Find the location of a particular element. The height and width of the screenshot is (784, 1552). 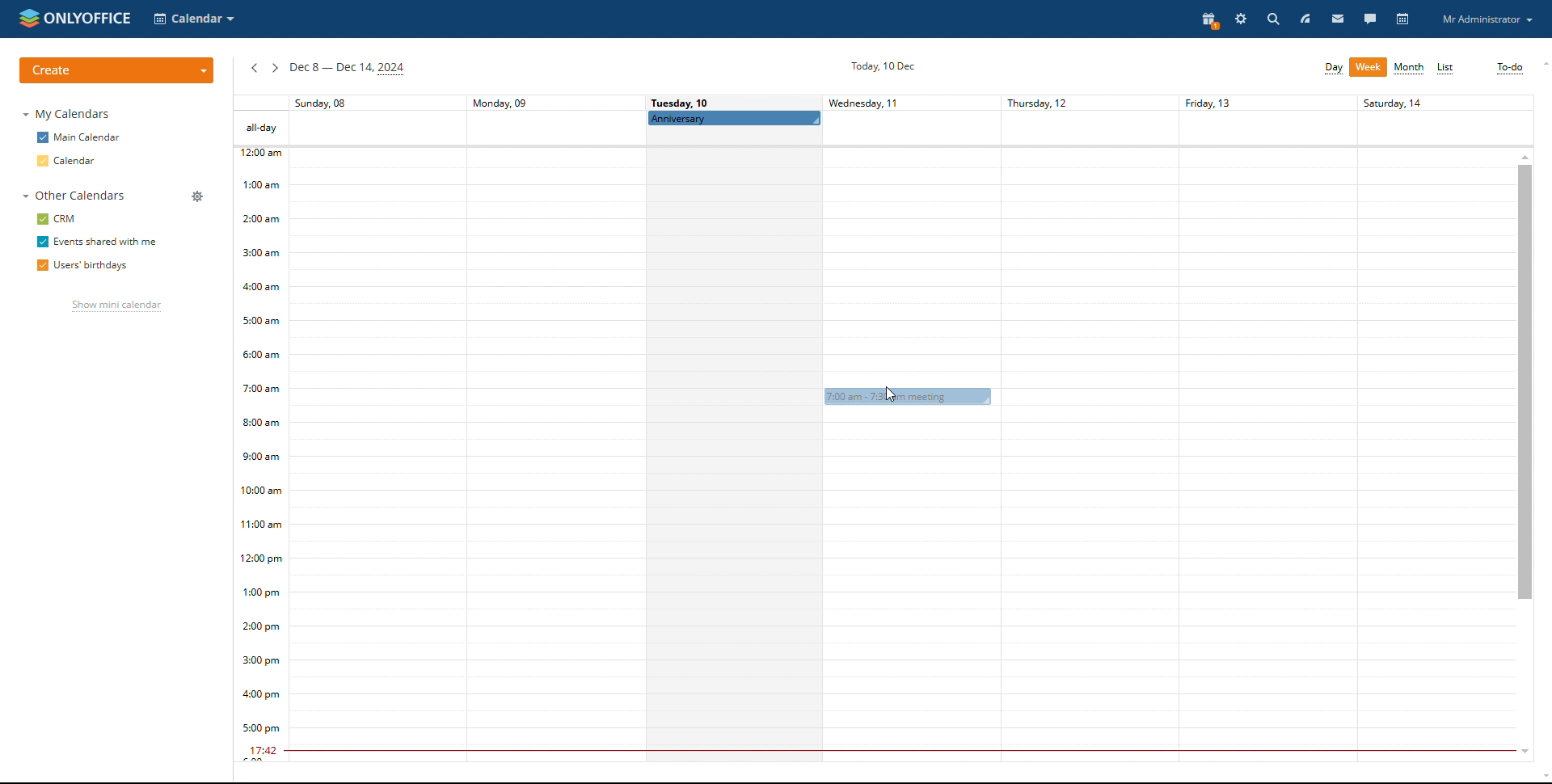

select application is located at coordinates (196, 19).